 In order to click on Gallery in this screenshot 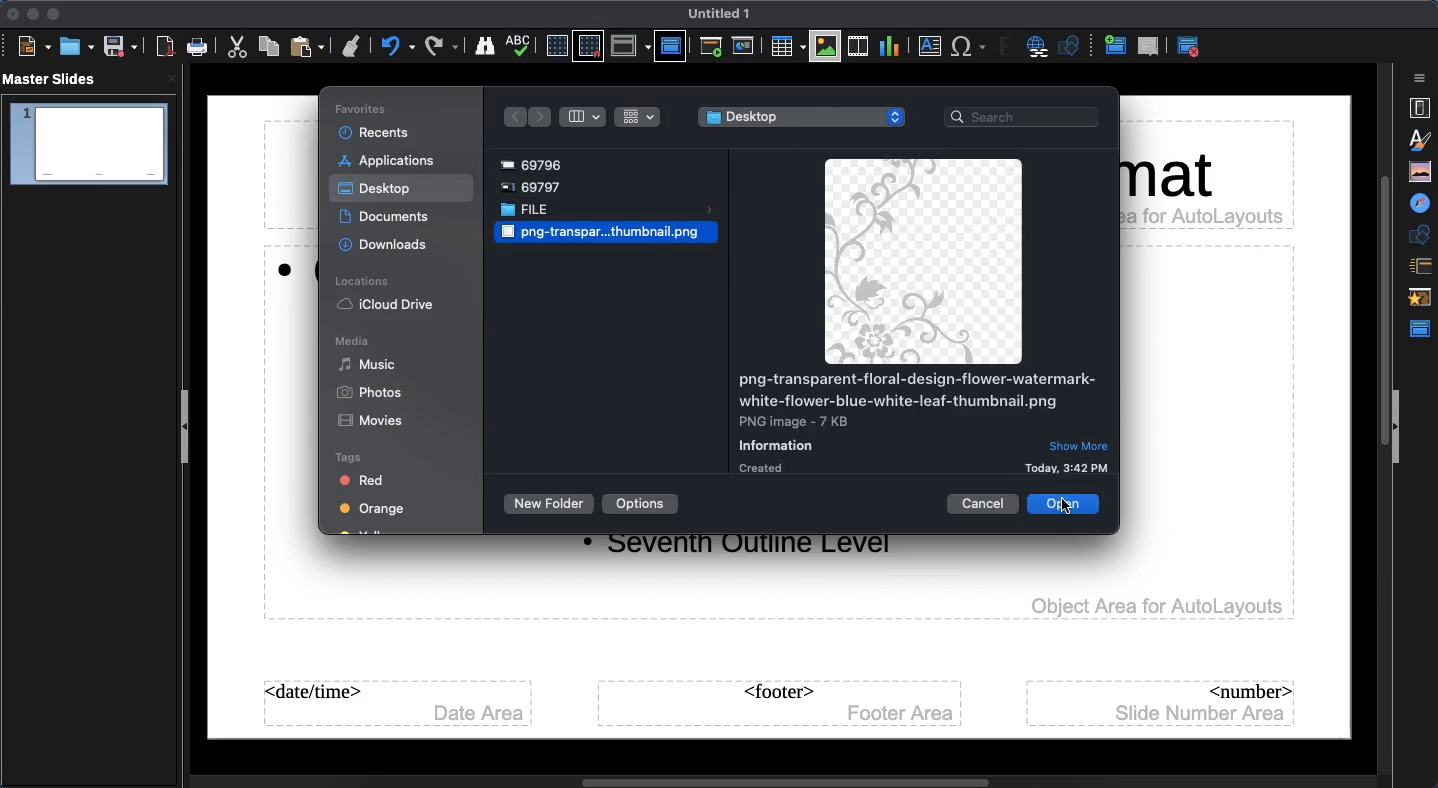, I will do `click(1422, 171)`.